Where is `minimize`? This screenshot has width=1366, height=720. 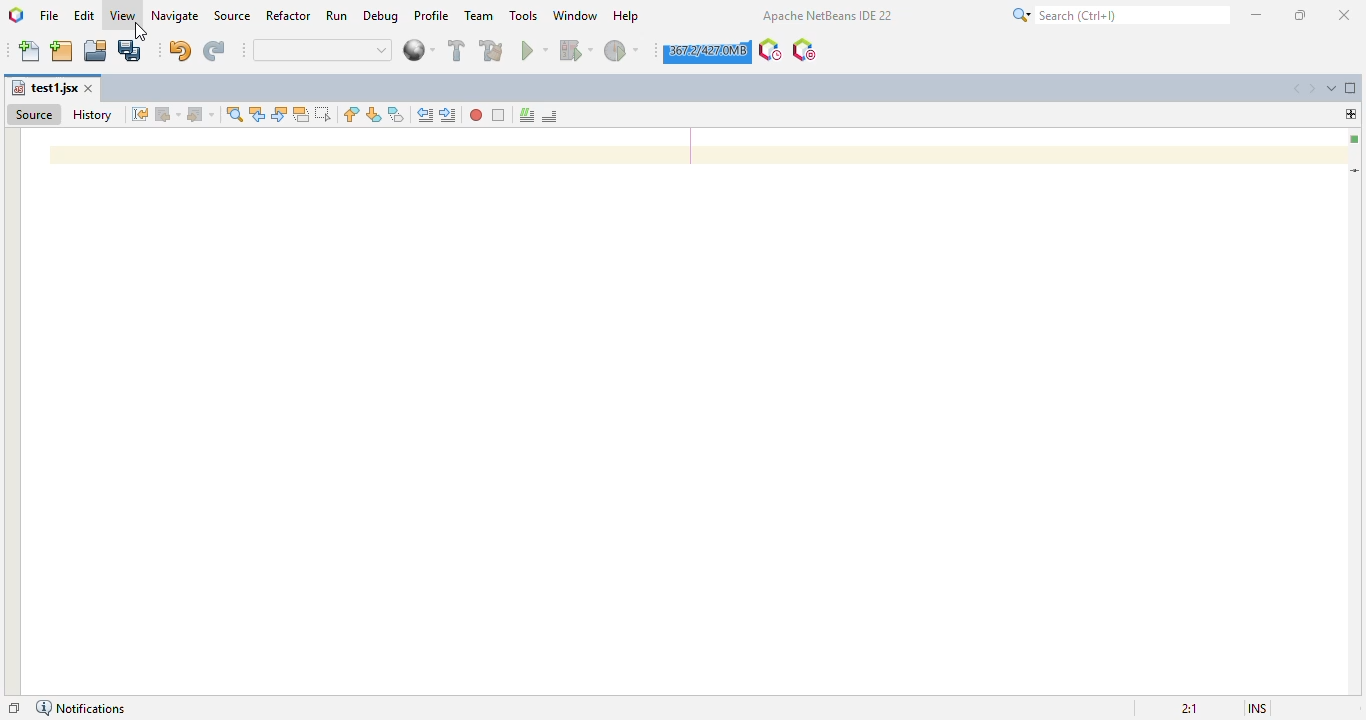 minimize is located at coordinates (1257, 15).